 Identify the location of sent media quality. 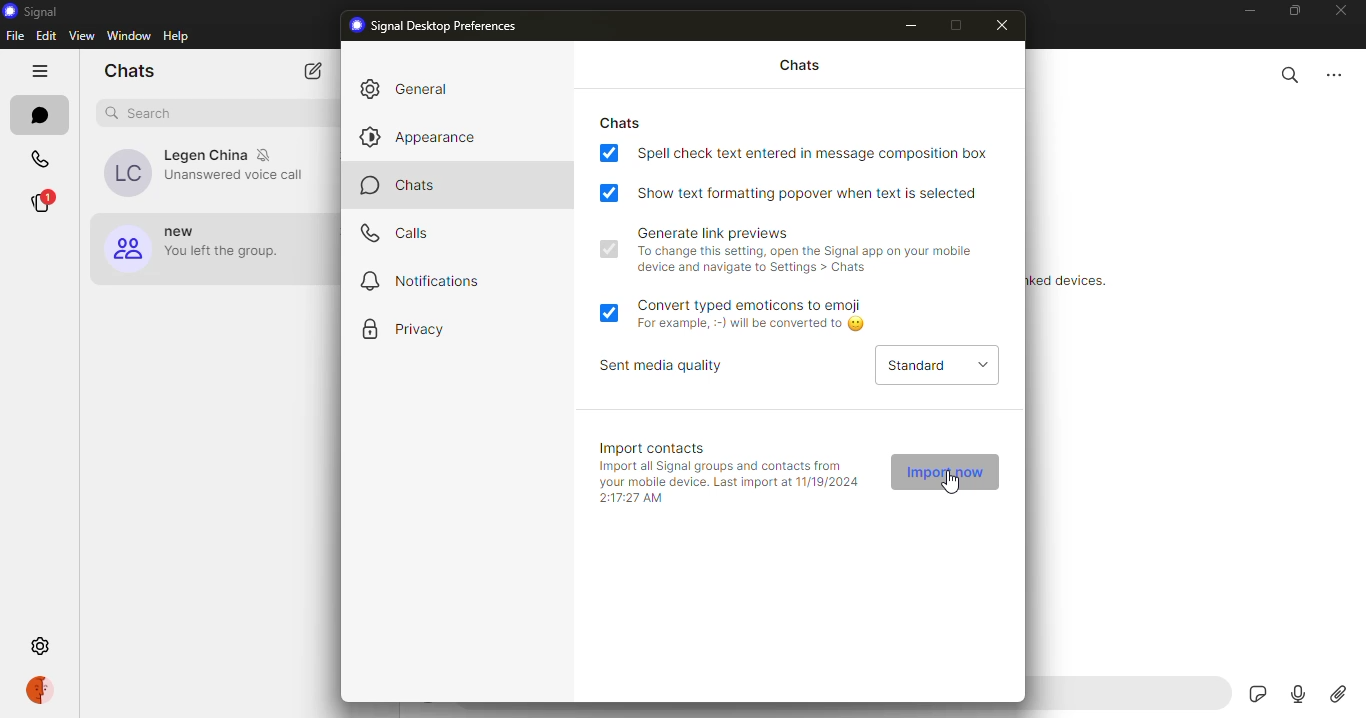
(668, 366).